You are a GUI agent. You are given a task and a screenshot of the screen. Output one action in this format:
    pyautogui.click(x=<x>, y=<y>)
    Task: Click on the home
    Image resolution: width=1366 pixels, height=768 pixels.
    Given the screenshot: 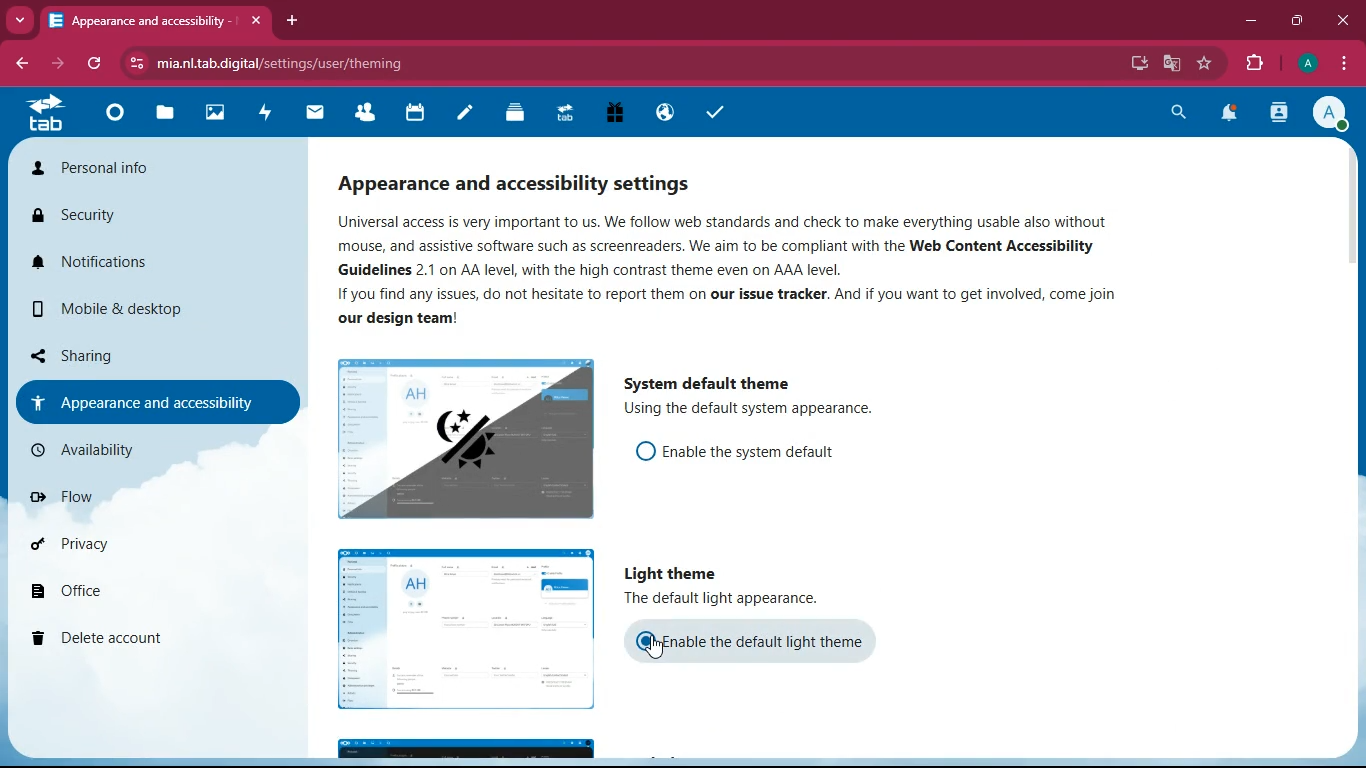 What is the action you would take?
    pyautogui.click(x=114, y=117)
    